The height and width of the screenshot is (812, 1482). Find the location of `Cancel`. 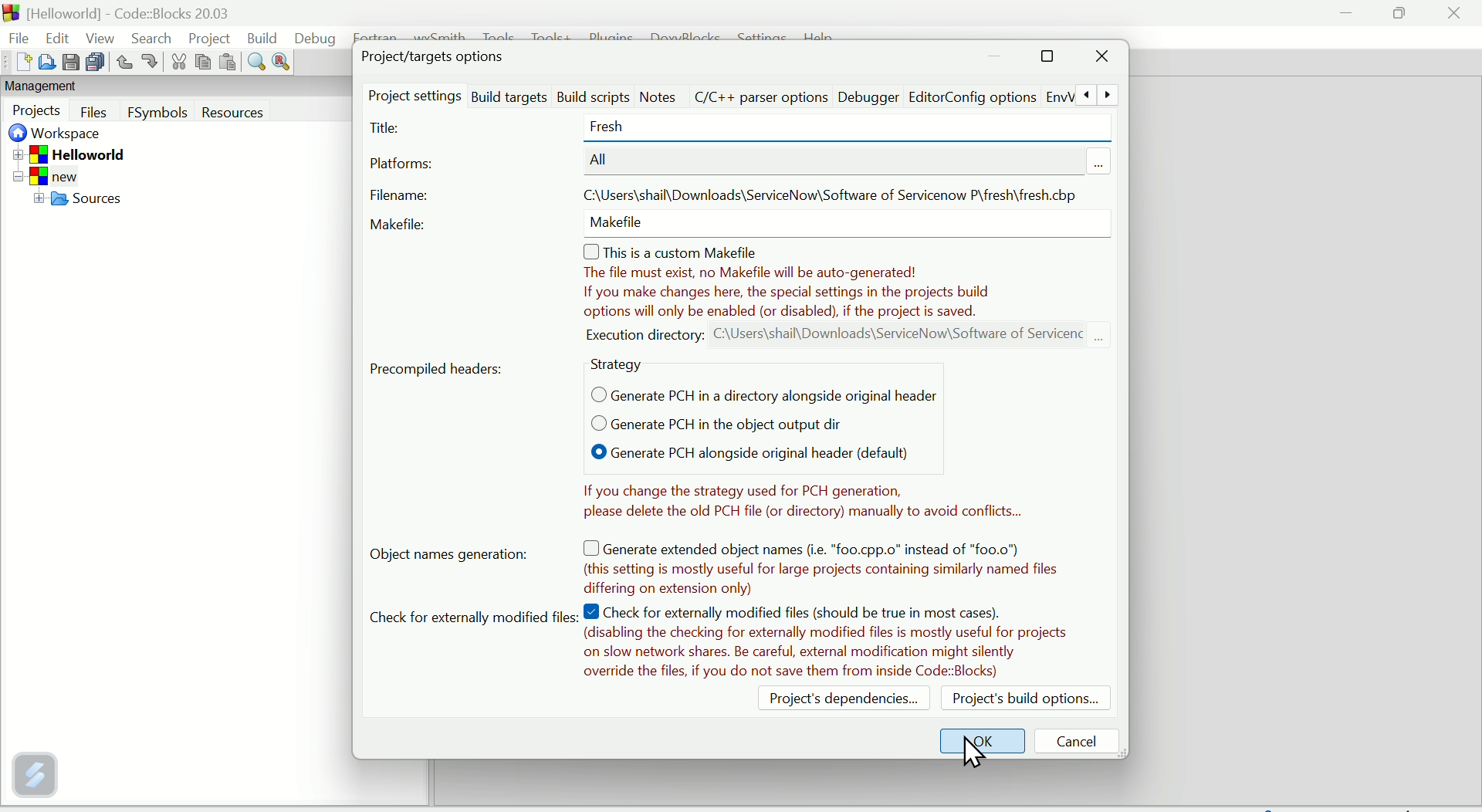

Cancel is located at coordinates (1078, 739).